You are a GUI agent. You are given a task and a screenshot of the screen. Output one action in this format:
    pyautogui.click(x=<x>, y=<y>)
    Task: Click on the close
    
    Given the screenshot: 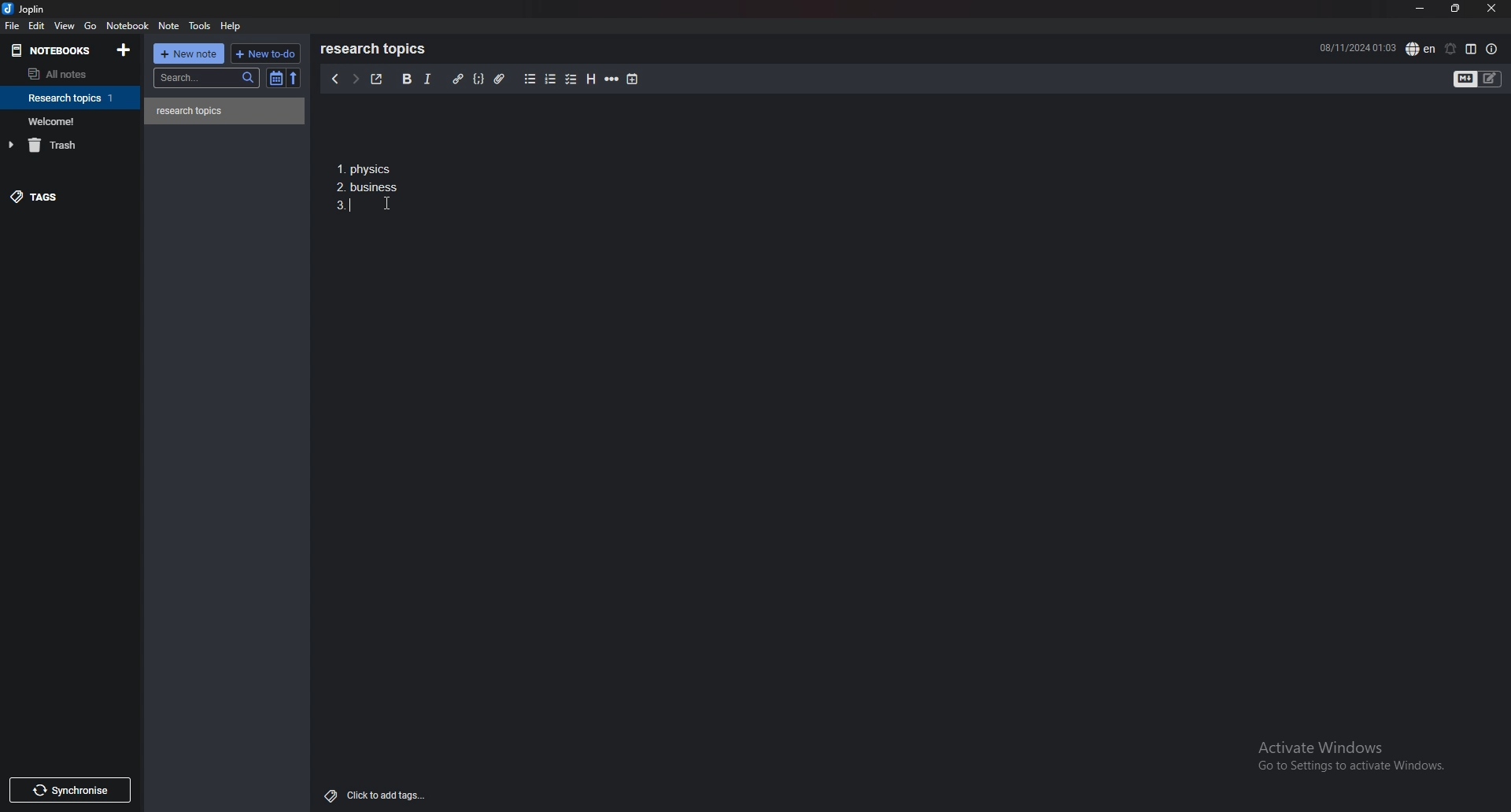 What is the action you would take?
    pyautogui.click(x=1491, y=9)
    